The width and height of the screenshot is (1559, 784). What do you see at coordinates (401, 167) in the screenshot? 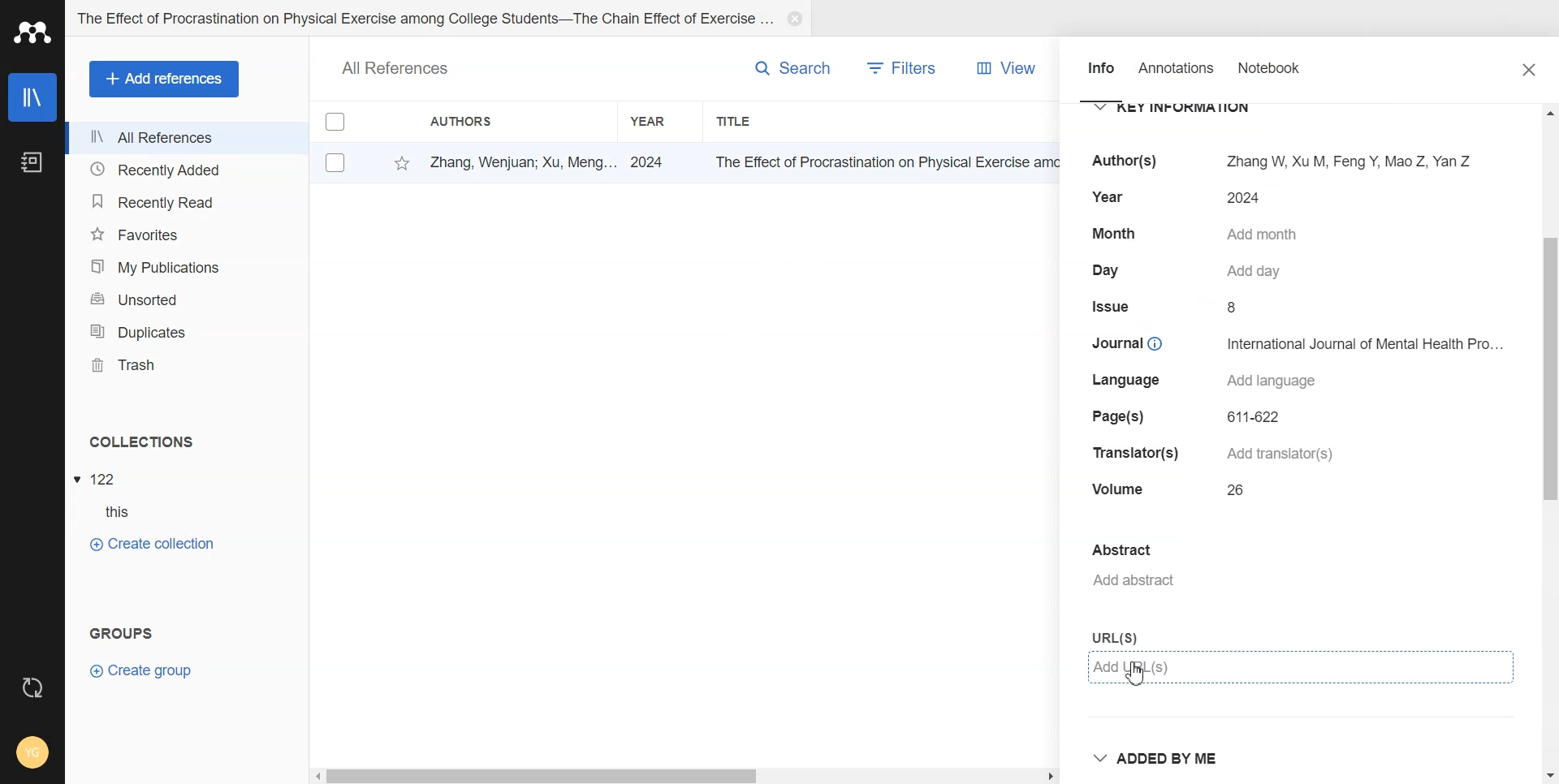
I see `Favorite` at bounding box center [401, 167].